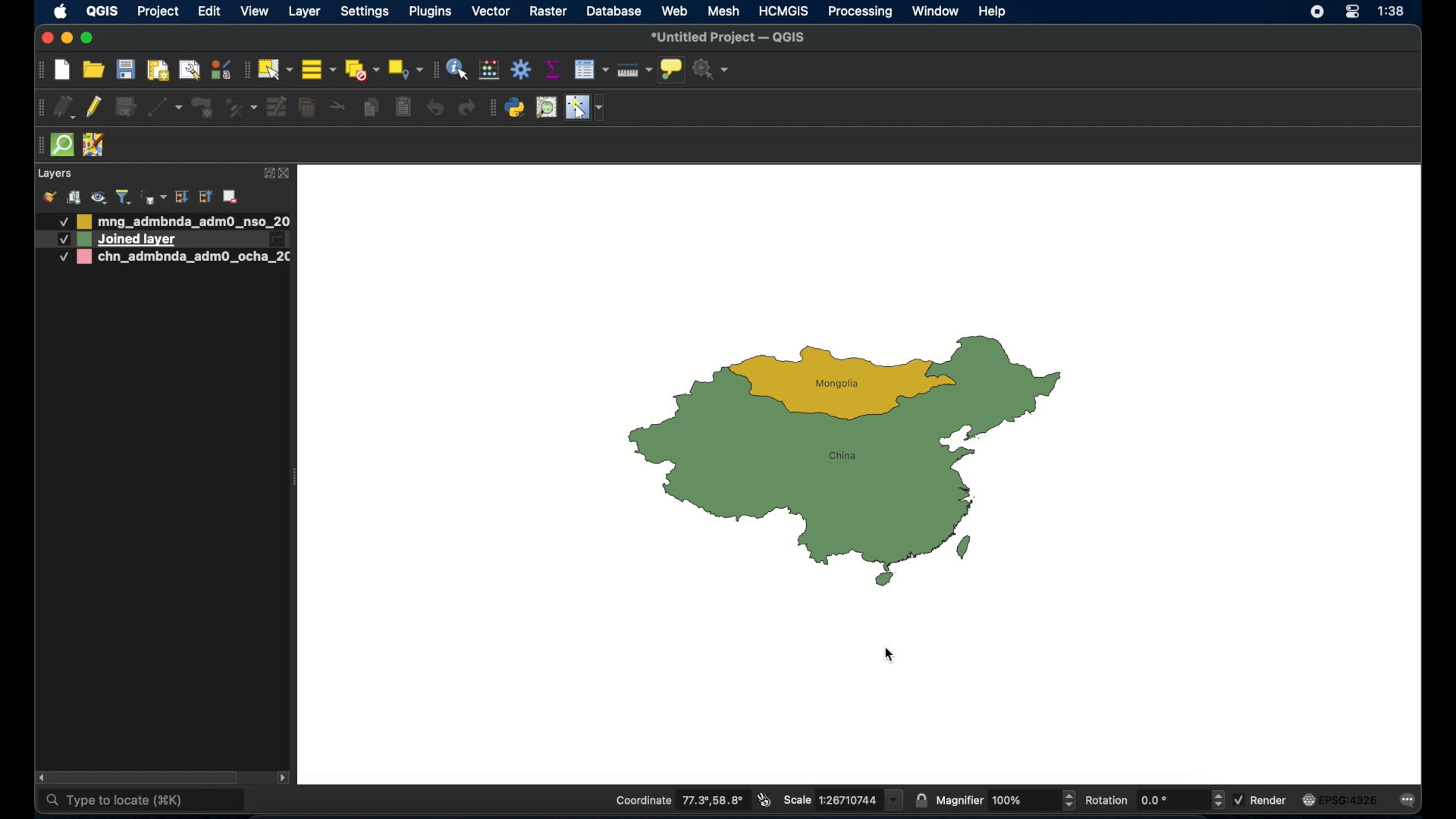 Image resolution: width=1456 pixels, height=819 pixels. What do you see at coordinates (714, 71) in the screenshot?
I see `no action selected` at bounding box center [714, 71].